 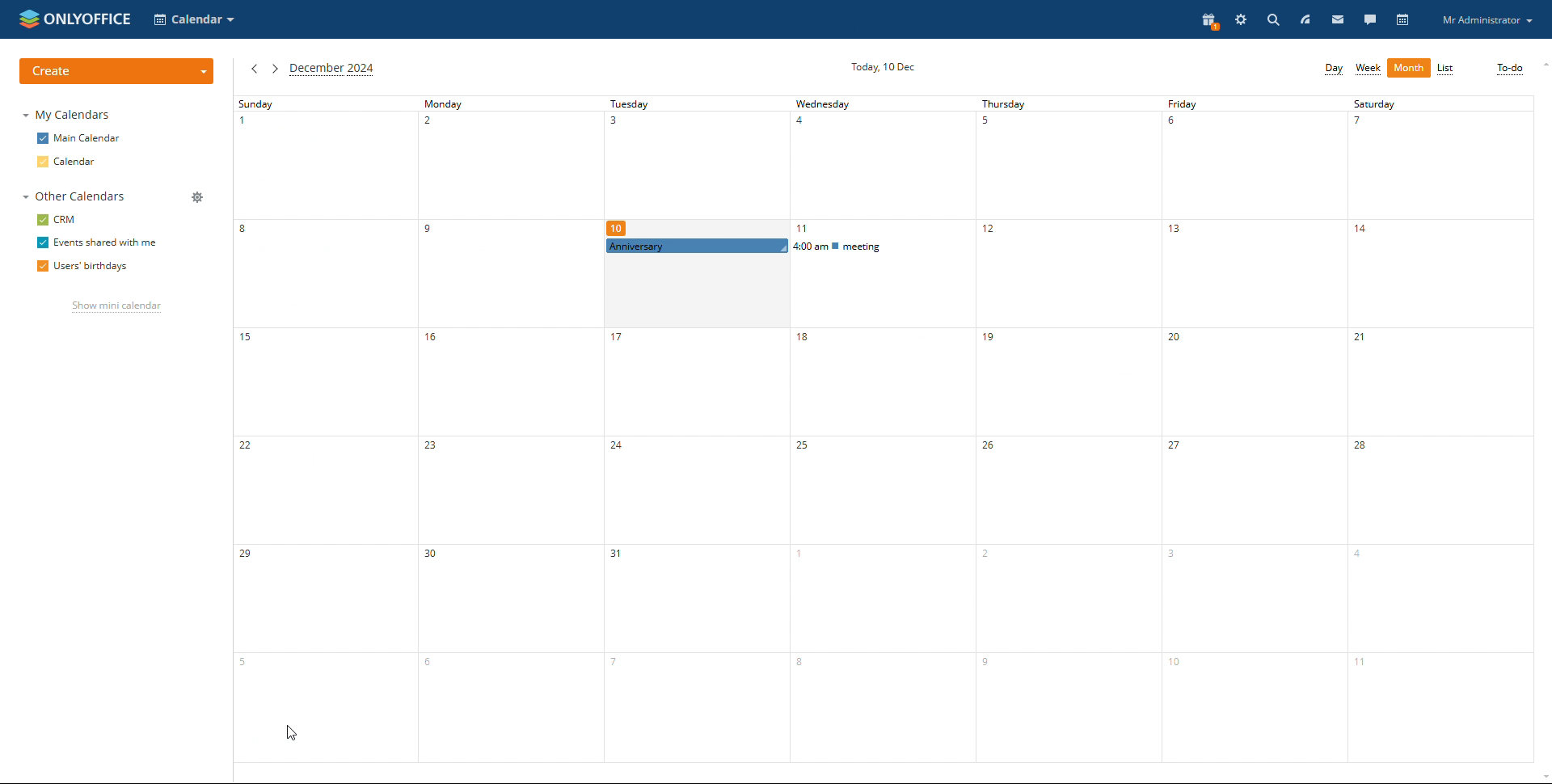 I want to click on day view, so click(x=1333, y=69).